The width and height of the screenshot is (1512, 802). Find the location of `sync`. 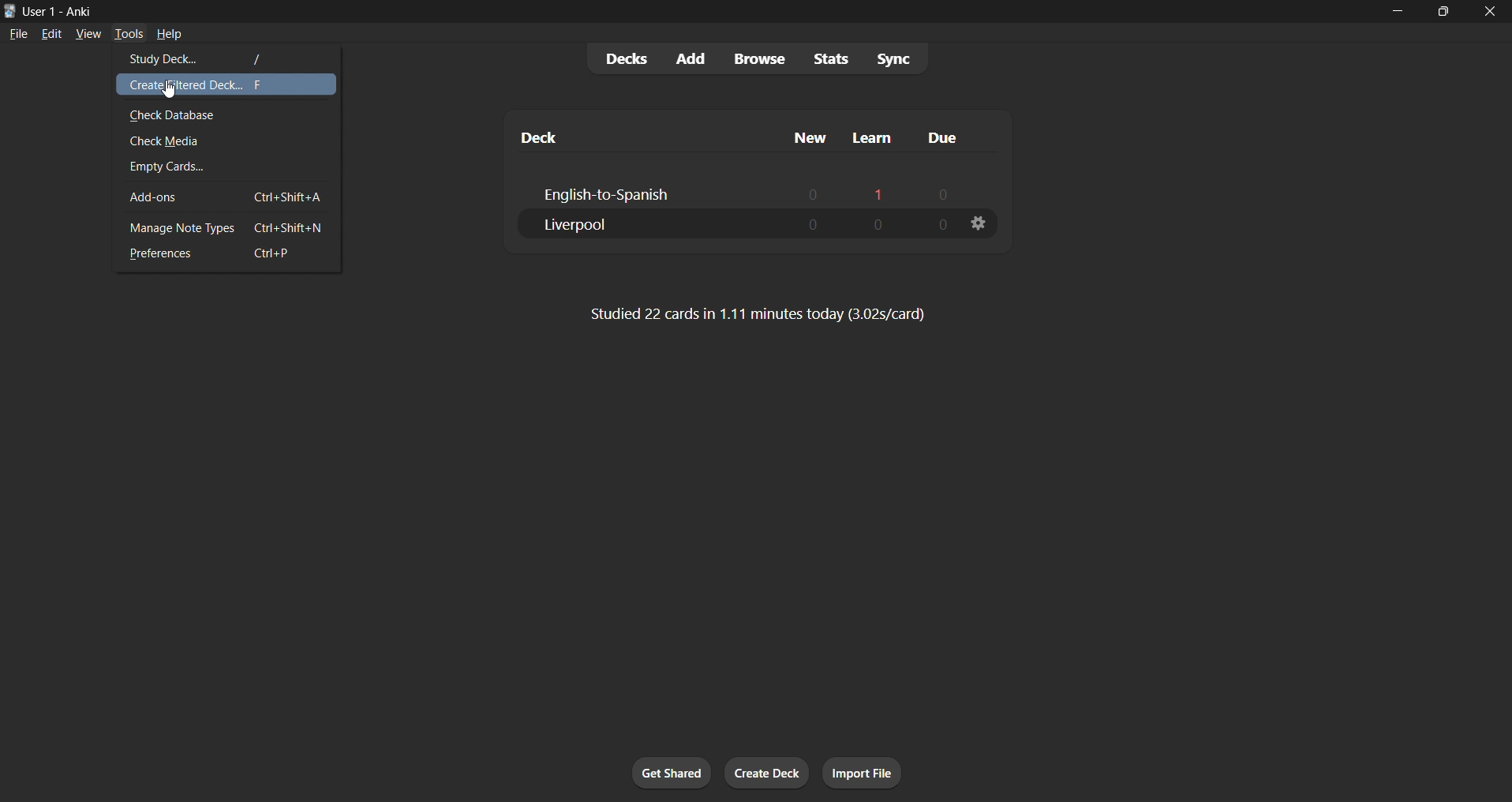

sync is located at coordinates (896, 57).